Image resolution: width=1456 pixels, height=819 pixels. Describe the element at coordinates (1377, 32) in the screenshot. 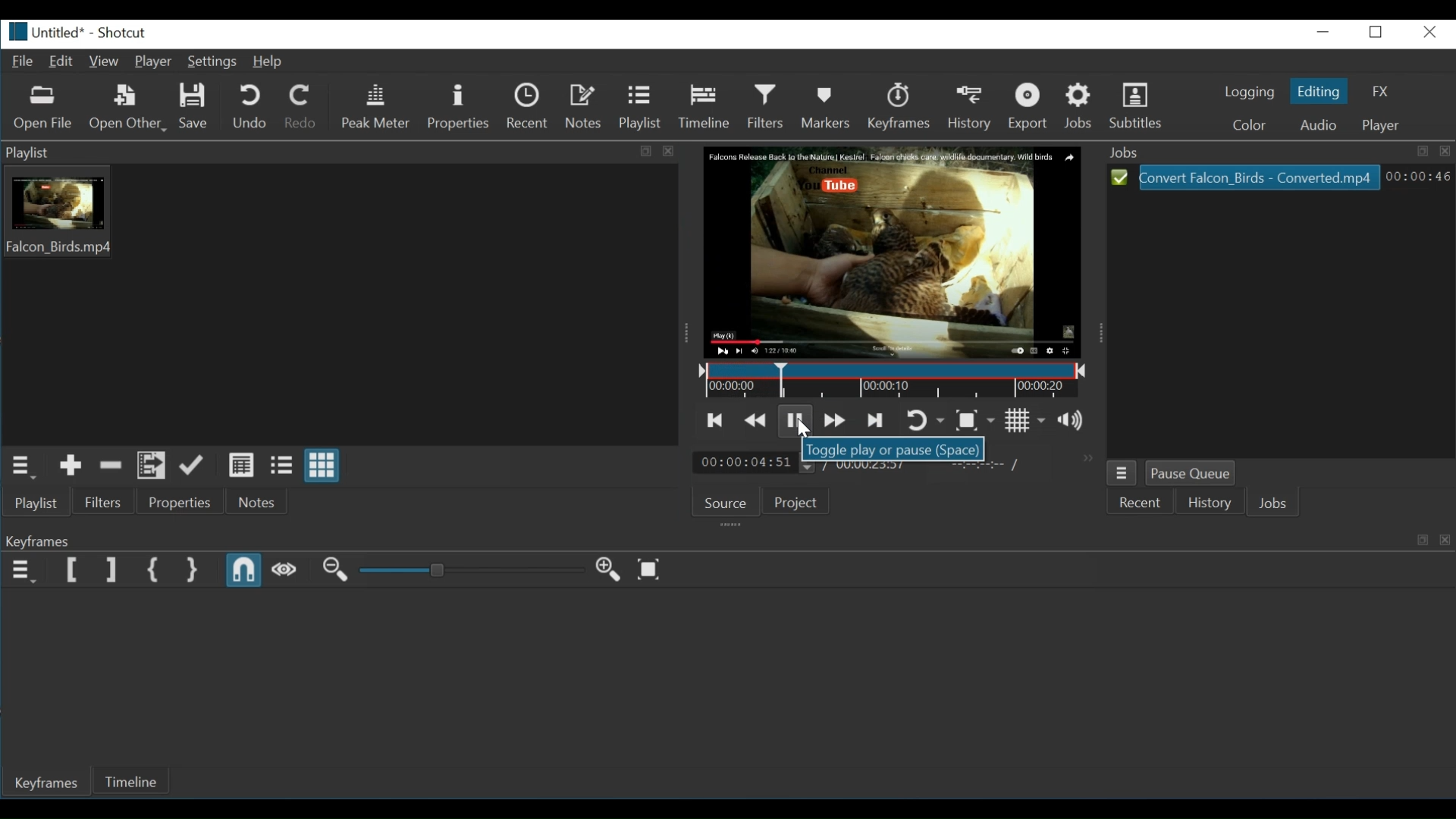

I see `maximize` at that location.